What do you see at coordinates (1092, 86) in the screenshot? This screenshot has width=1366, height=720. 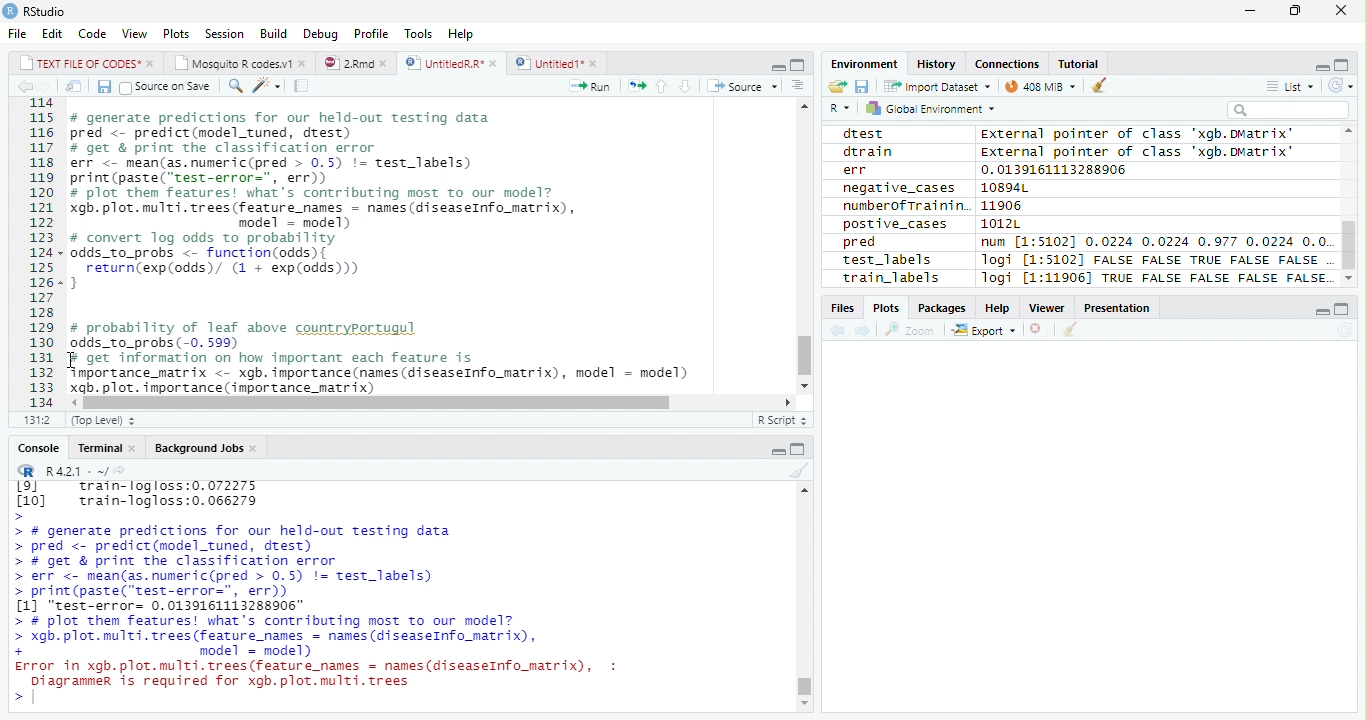 I see `Clean` at bounding box center [1092, 86].